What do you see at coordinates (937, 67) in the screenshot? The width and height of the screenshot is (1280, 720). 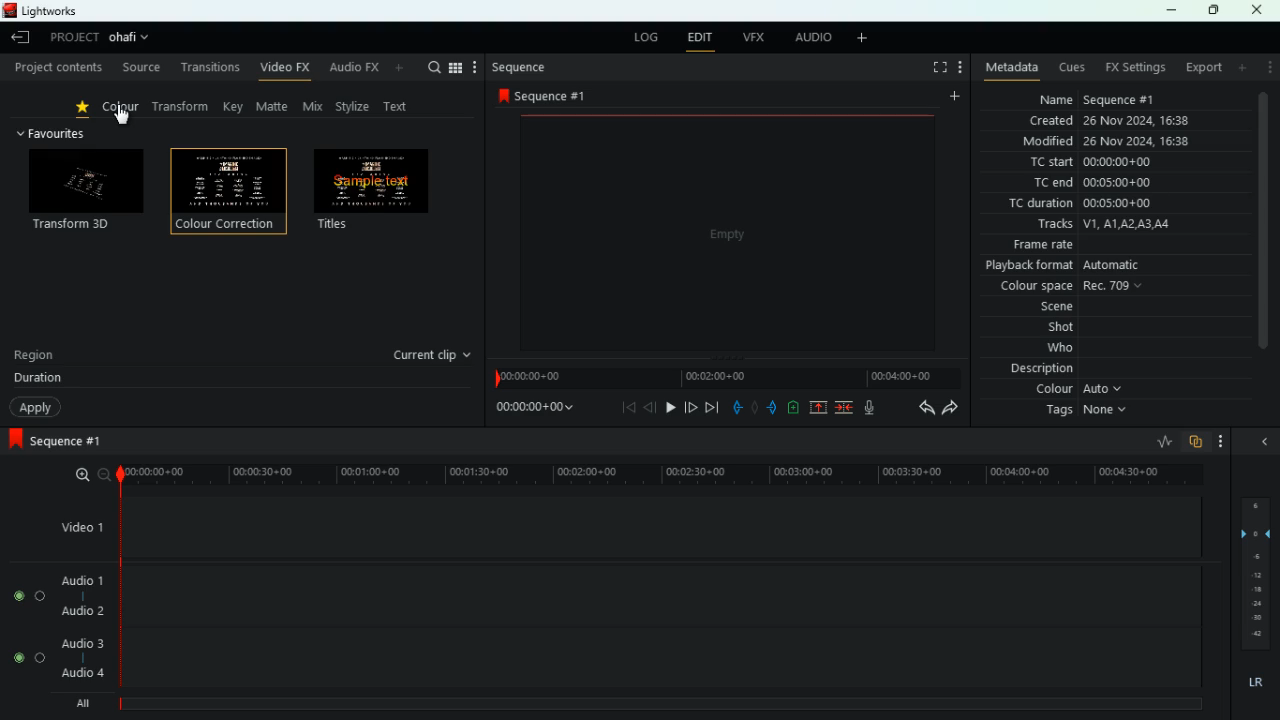 I see `full screen` at bounding box center [937, 67].